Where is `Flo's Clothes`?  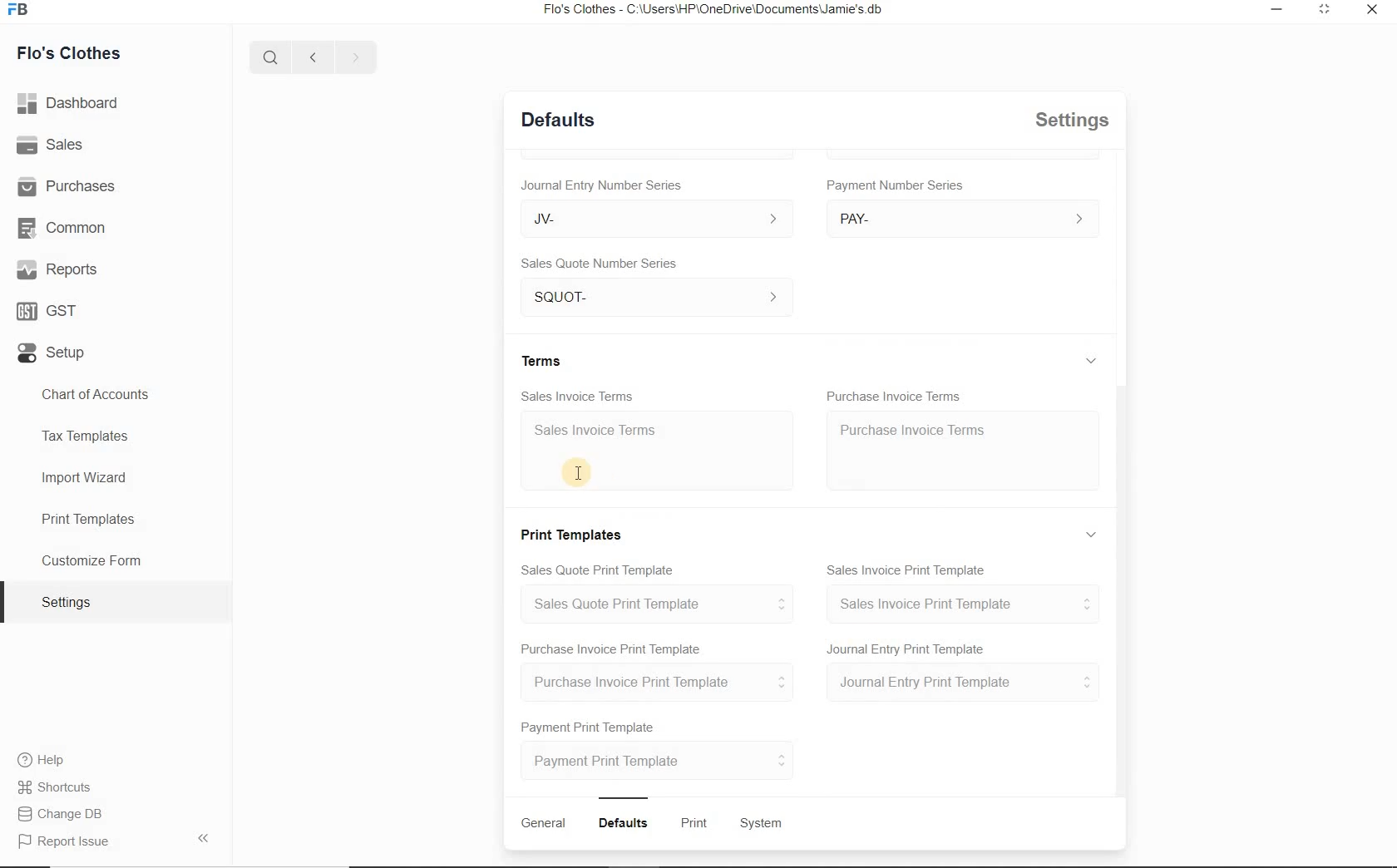
Flo's Clothes is located at coordinates (67, 55).